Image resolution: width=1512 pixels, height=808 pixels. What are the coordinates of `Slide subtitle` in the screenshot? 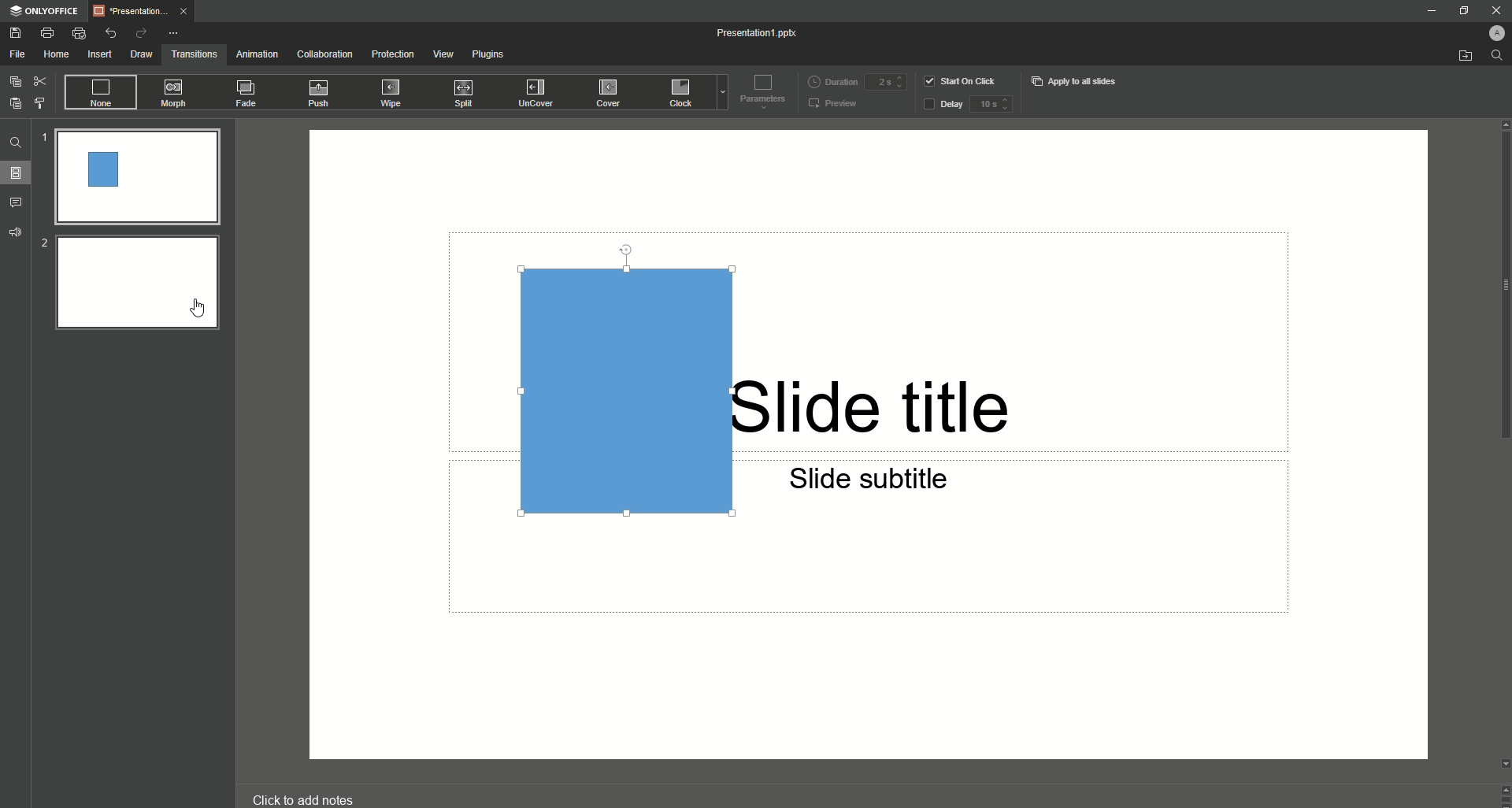 It's located at (872, 484).